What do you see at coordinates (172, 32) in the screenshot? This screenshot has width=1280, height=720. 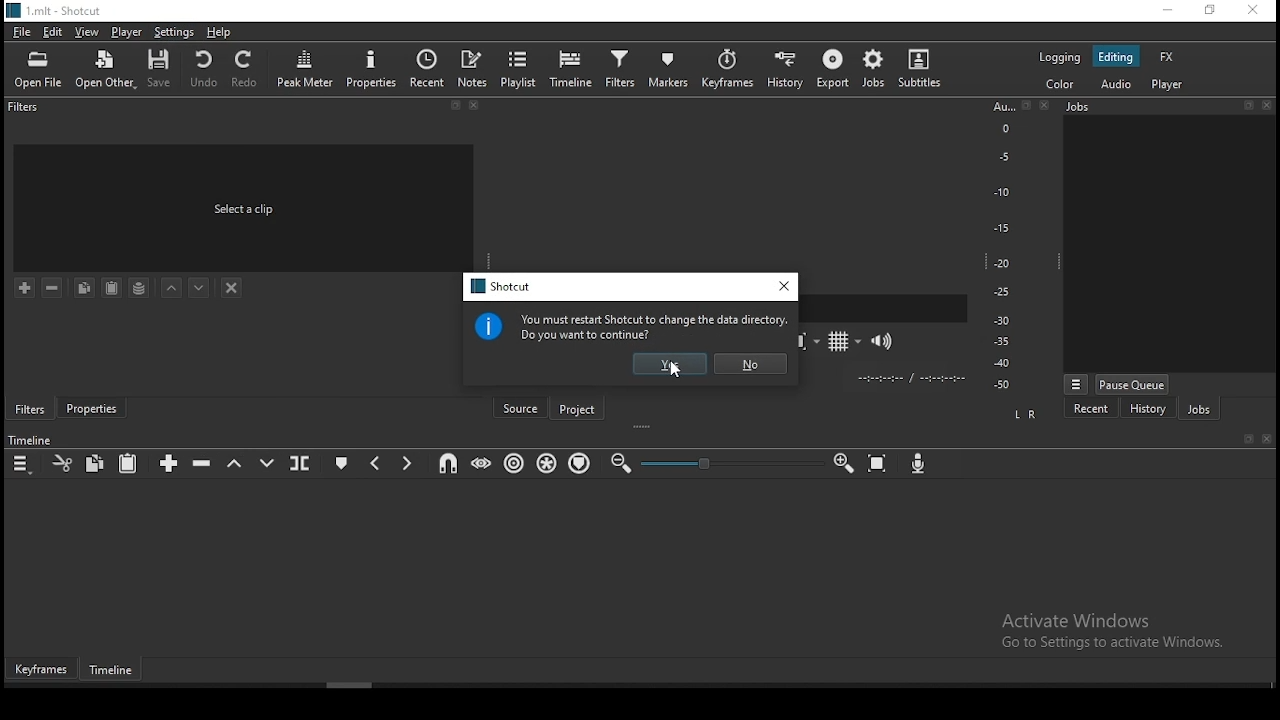 I see `settings` at bounding box center [172, 32].